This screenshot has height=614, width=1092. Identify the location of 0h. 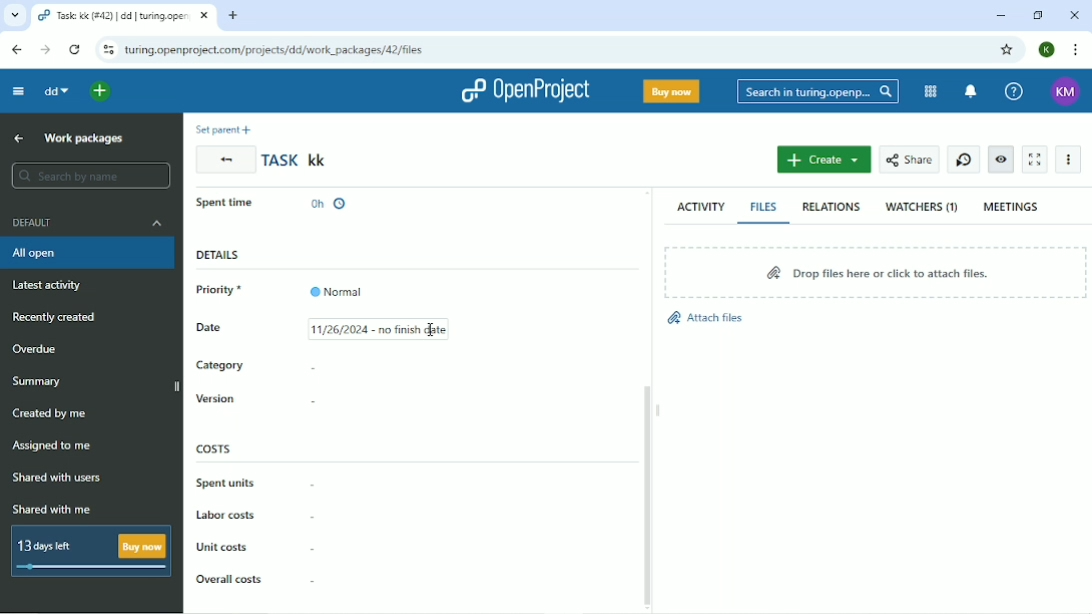
(329, 200).